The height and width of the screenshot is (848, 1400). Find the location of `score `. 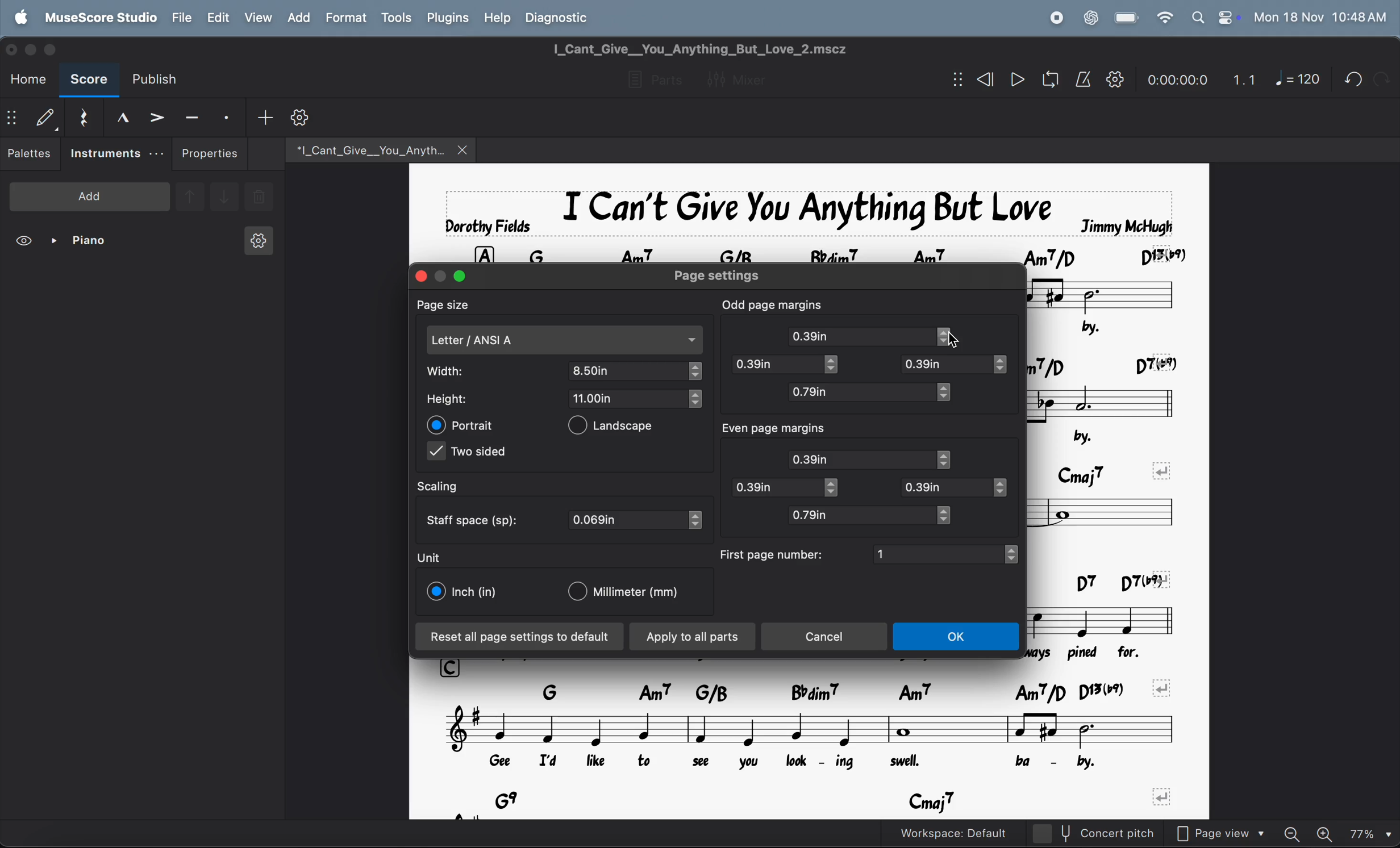

score  is located at coordinates (89, 81).